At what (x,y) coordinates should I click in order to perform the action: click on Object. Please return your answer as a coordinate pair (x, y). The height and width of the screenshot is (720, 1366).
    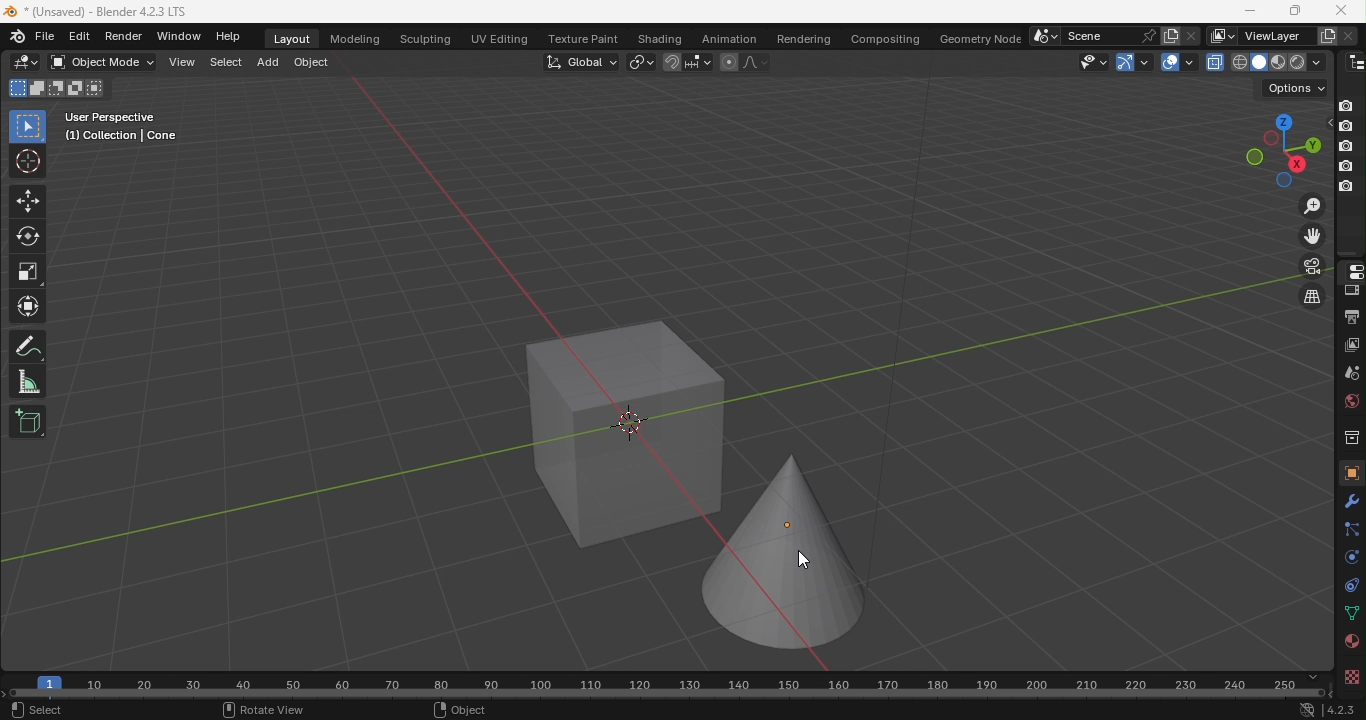
    Looking at the image, I should click on (310, 65).